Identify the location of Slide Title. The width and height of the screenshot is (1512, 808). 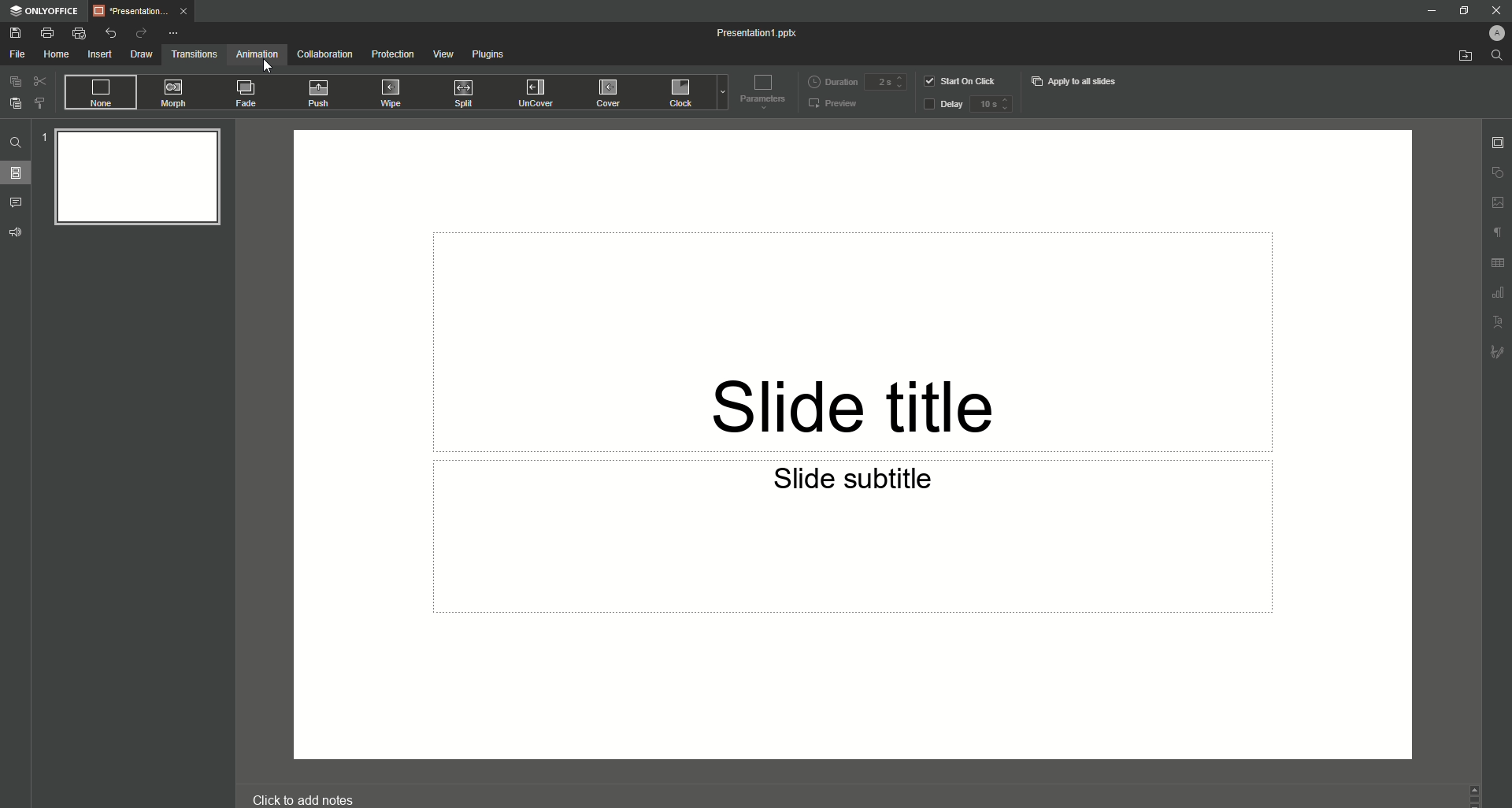
(864, 387).